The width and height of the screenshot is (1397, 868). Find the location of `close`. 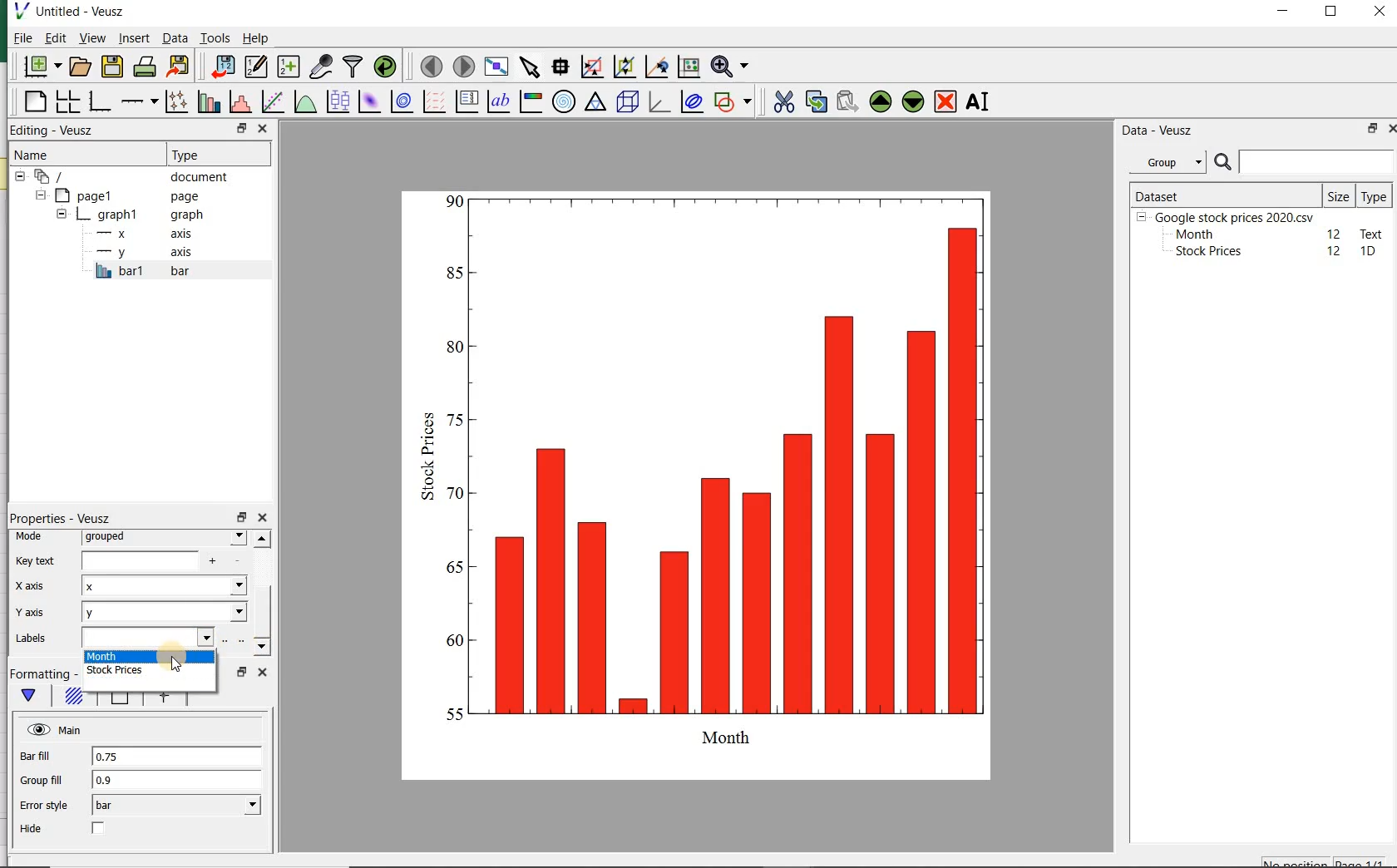

close is located at coordinates (262, 519).